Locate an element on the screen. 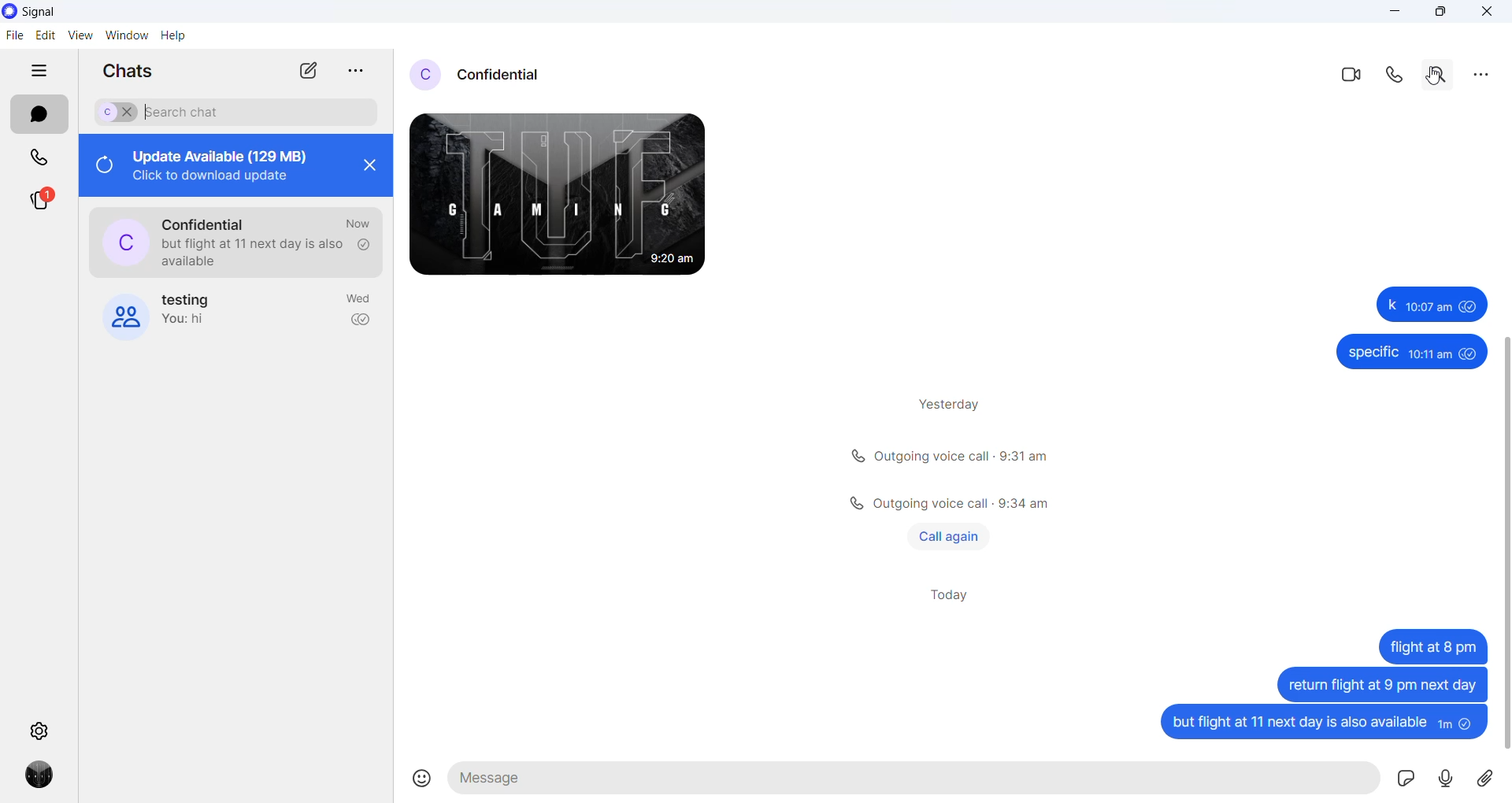 This screenshot has width=1512, height=803. application name and logo is located at coordinates (42, 13).